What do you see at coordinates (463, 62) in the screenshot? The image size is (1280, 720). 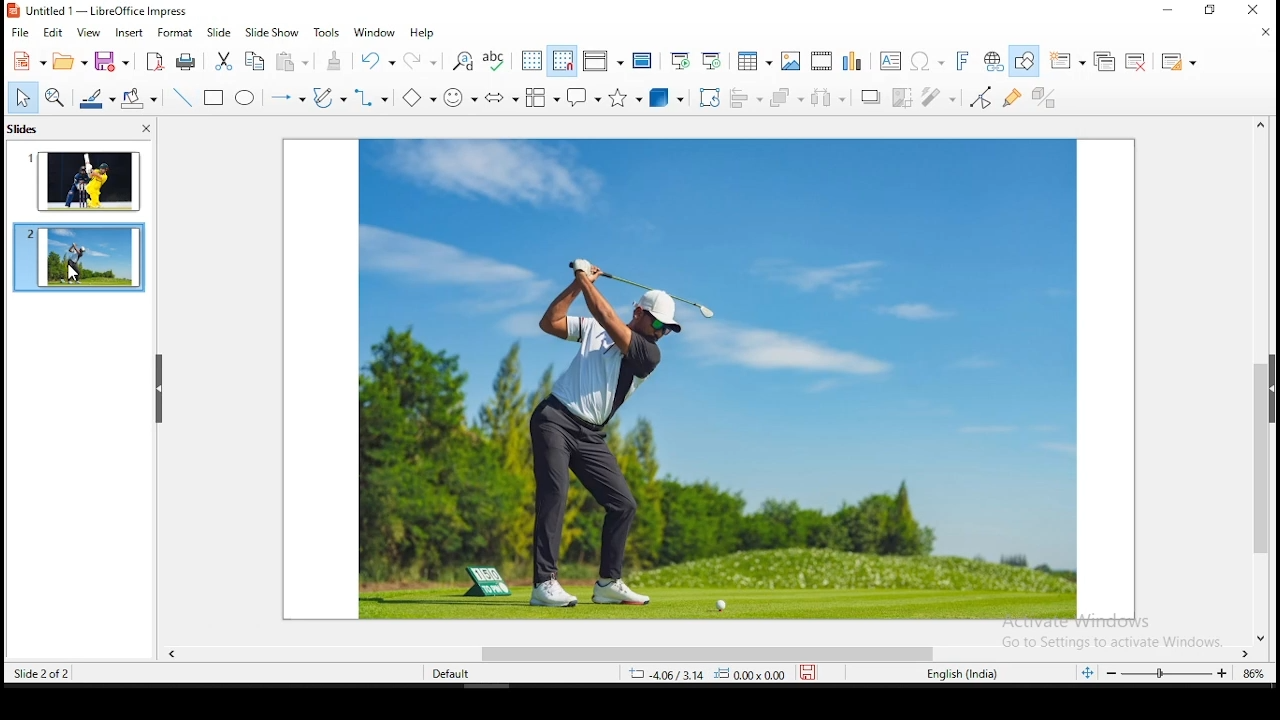 I see `find and replace` at bounding box center [463, 62].